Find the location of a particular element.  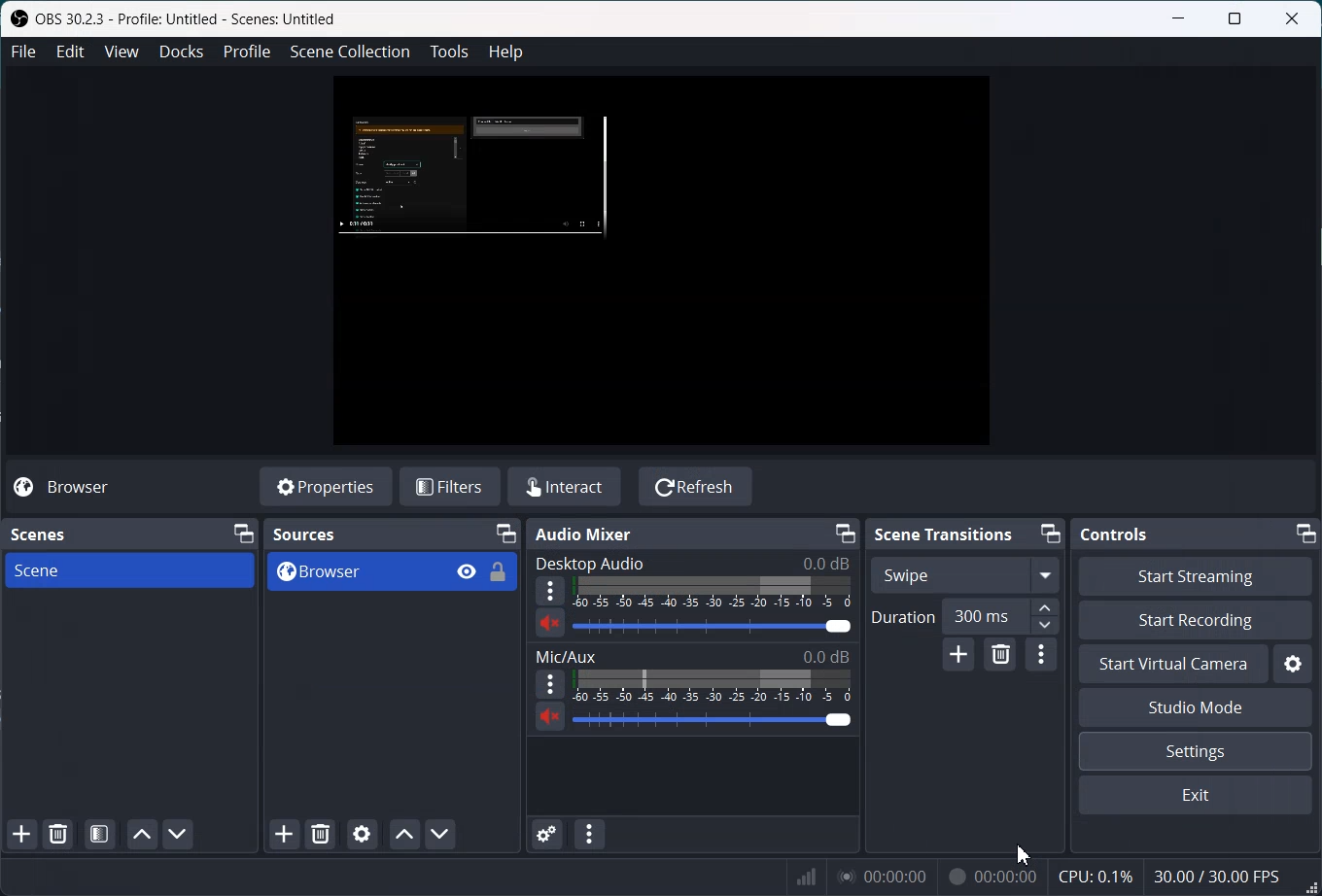

Minimize is located at coordinates (845, 533).